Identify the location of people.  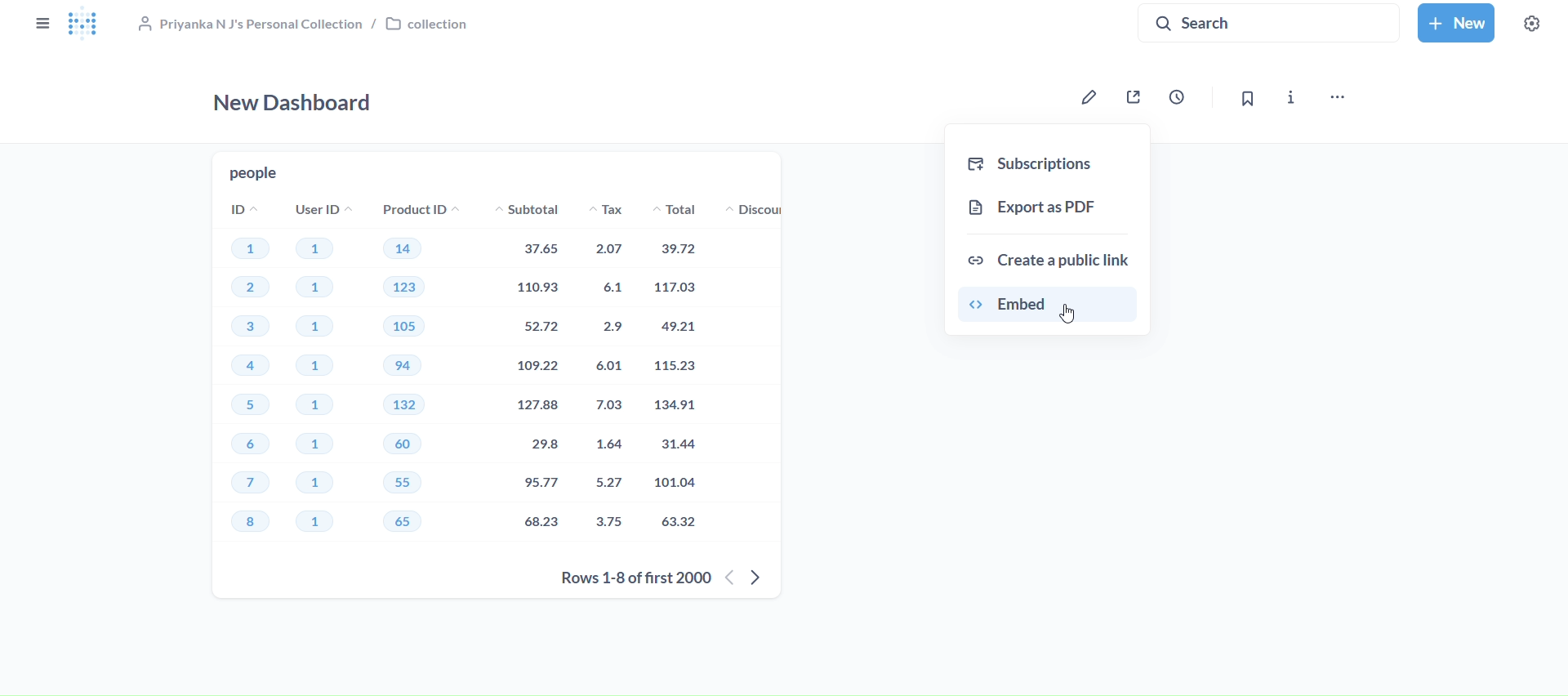
(253, 173).